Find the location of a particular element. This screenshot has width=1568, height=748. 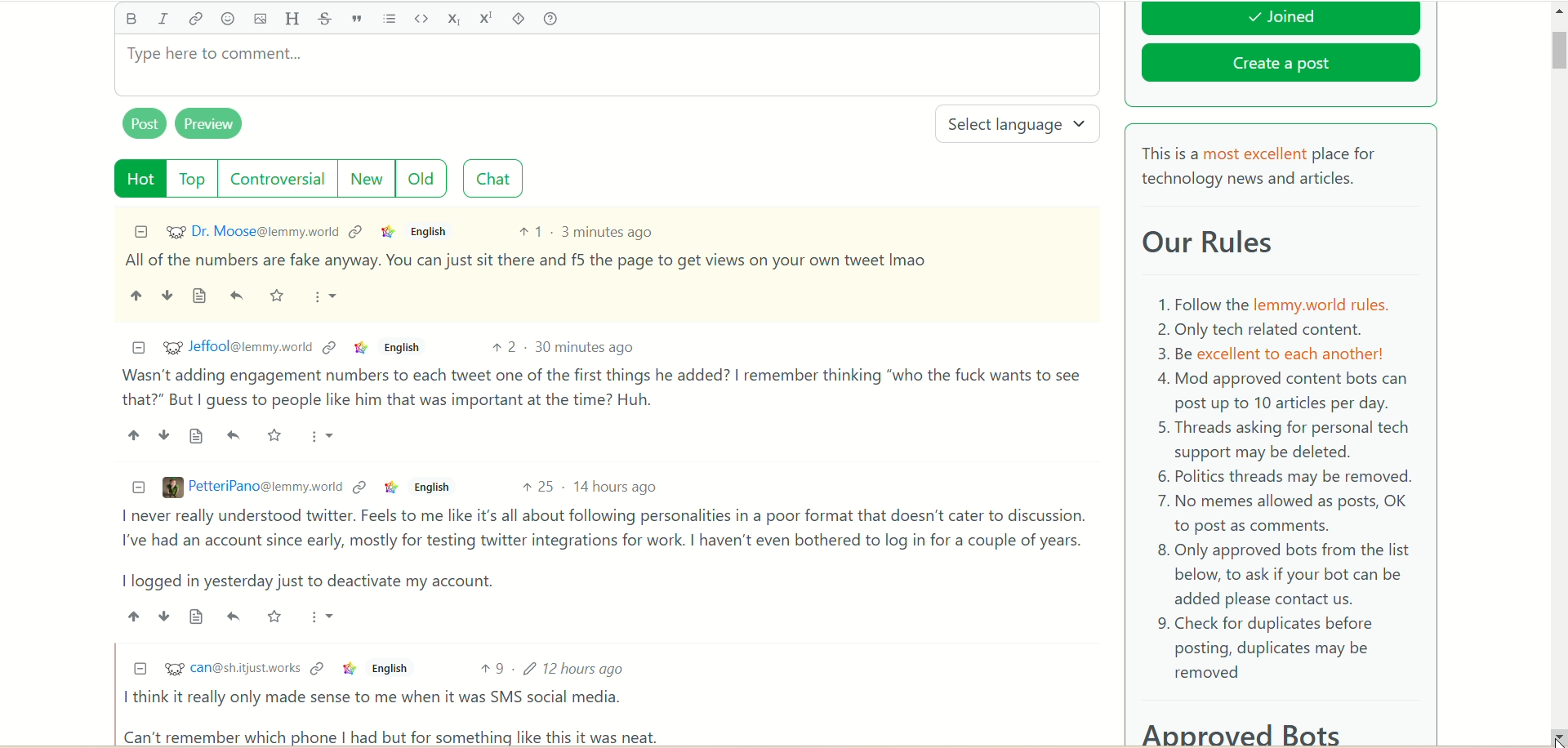

| think it really only made sense to me when it was SMS social media.
Can't remember which phone | had but for something like this it was neat. is located at coordinates (396, 716).